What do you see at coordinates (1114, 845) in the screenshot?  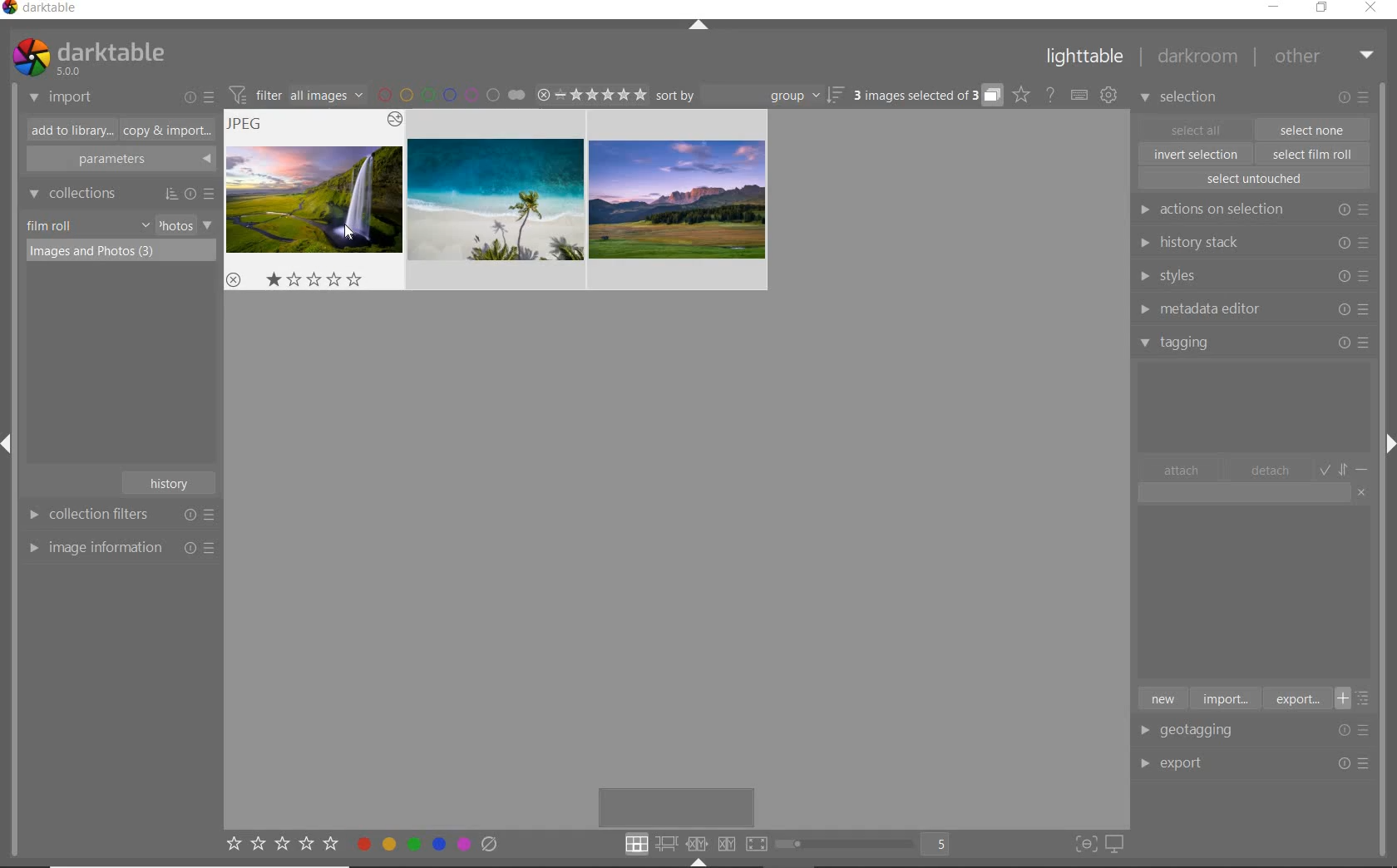 I see `set display profile` at bounding box center [1114, 845].